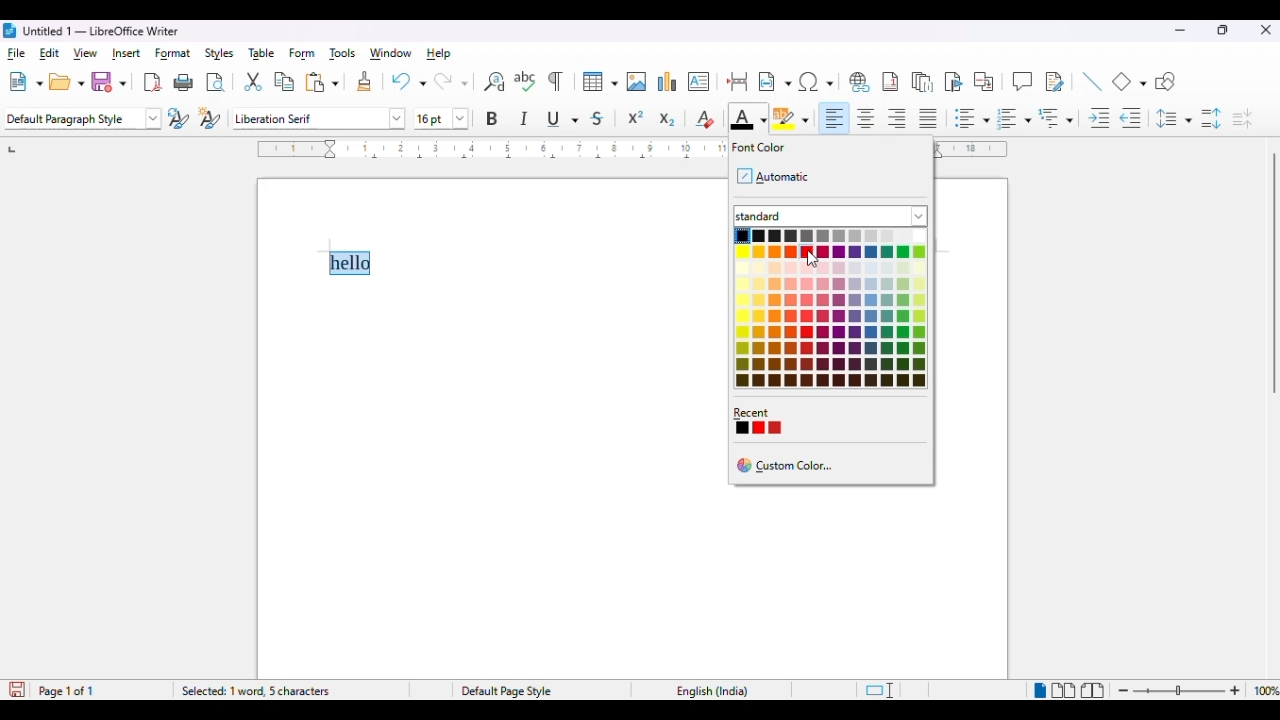  What do you see at coordinates (319, 118) in the screenshot?
I see `font style` at bounding box center [319, 118].